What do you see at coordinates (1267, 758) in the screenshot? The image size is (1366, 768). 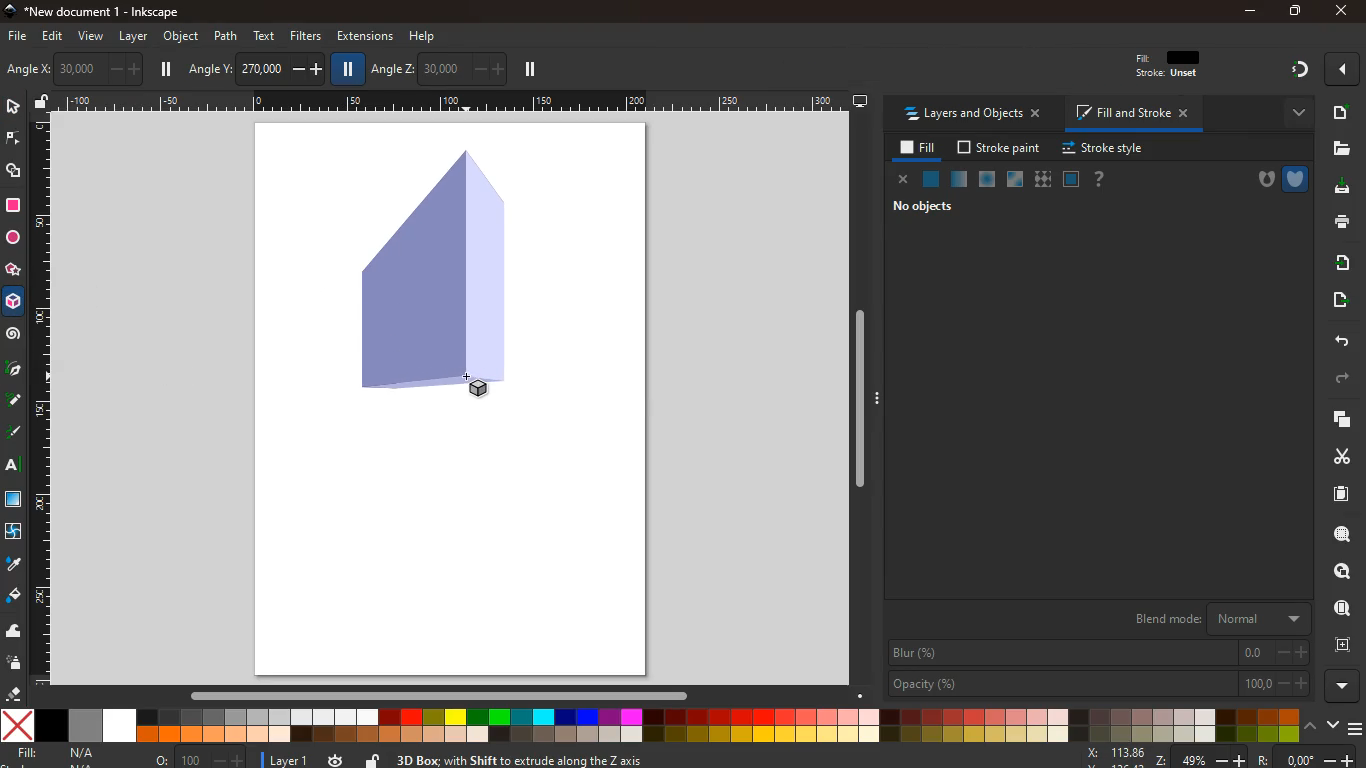 I see `` at bounding box center [1267, 758].